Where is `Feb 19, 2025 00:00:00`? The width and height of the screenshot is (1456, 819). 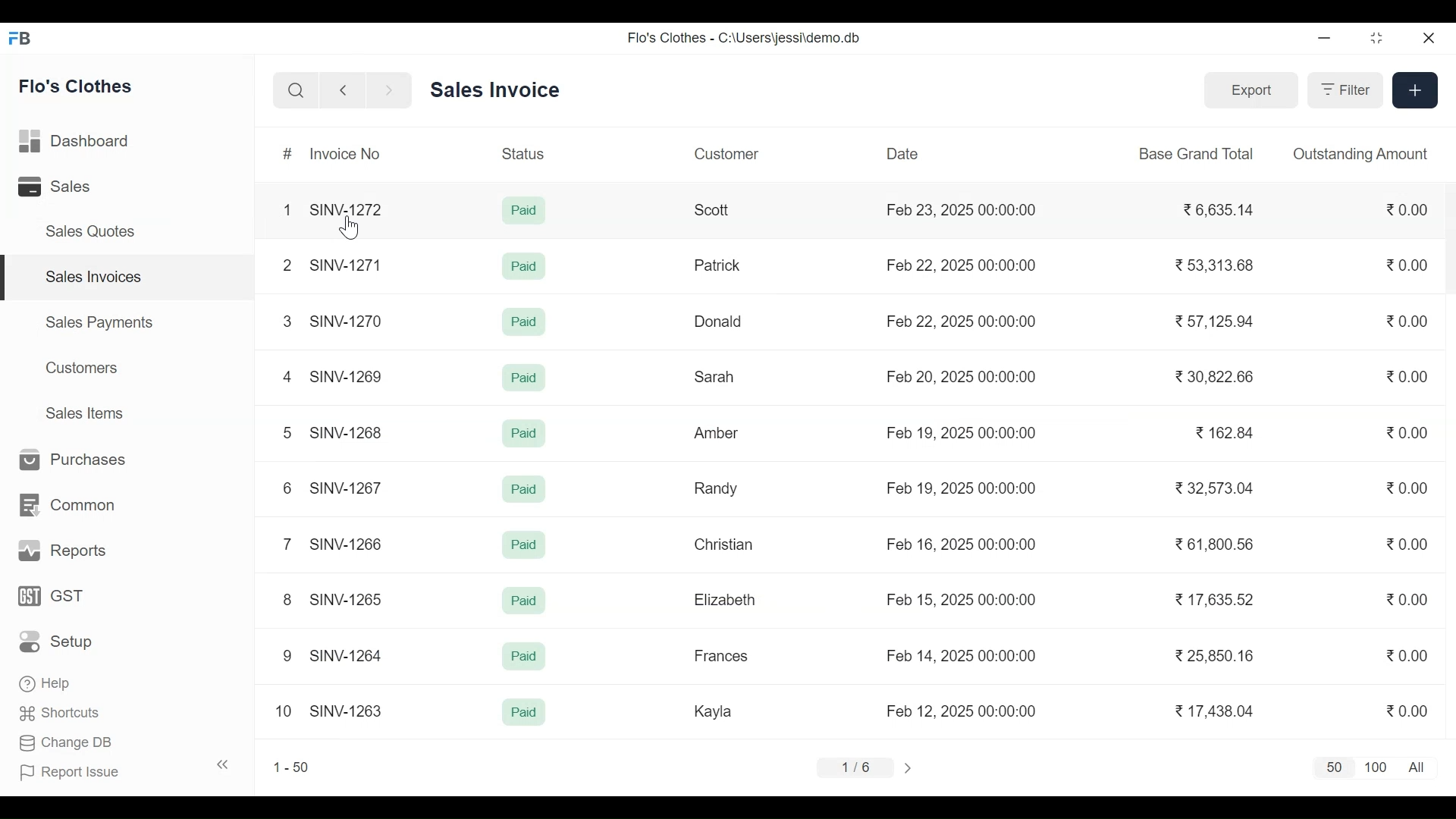 Feb 19, 2025 00:00:00 is located at coordinates (962, 431).